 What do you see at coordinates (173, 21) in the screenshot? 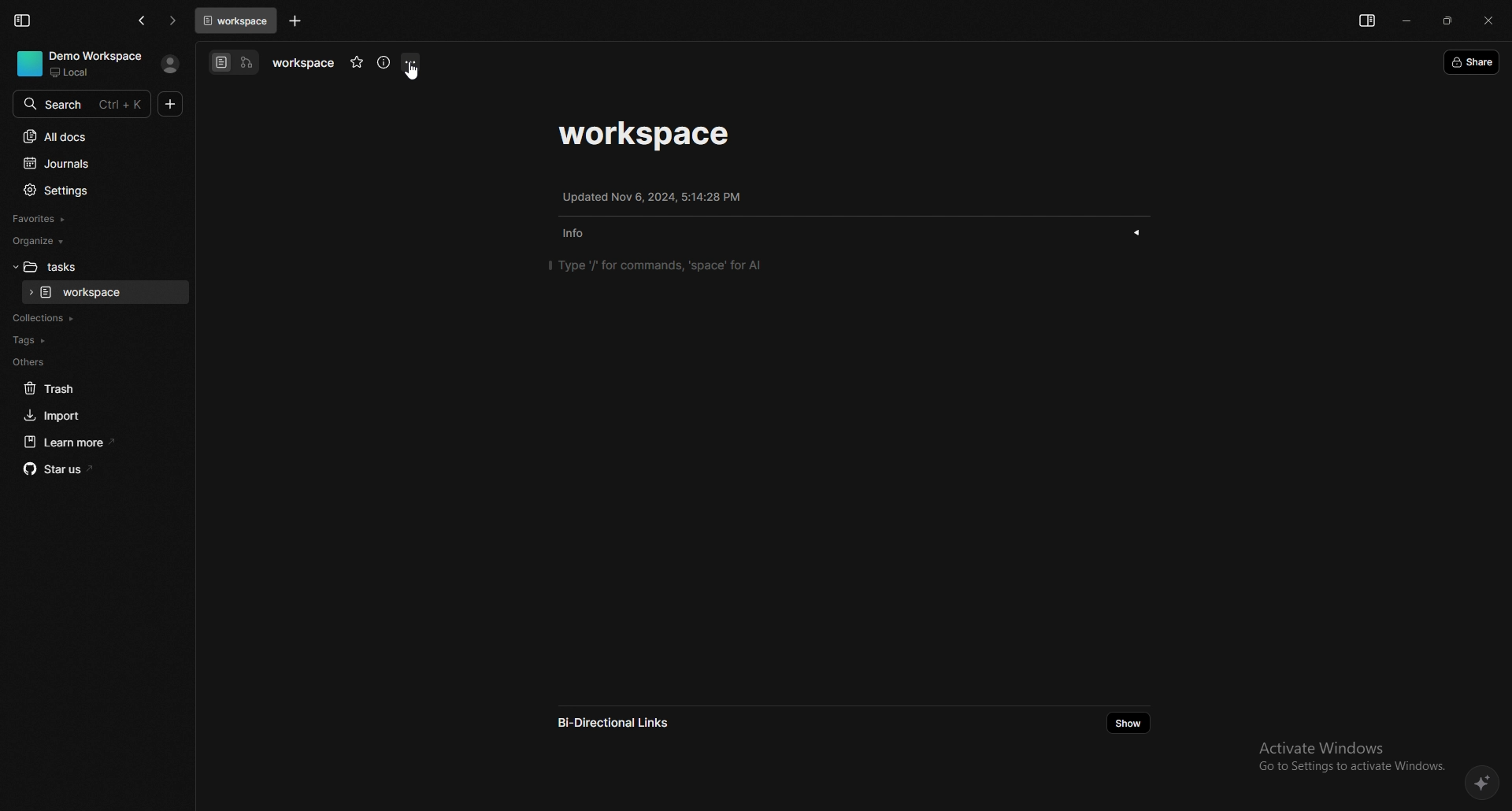
I see `go forward` at bounding box center [173, 21].